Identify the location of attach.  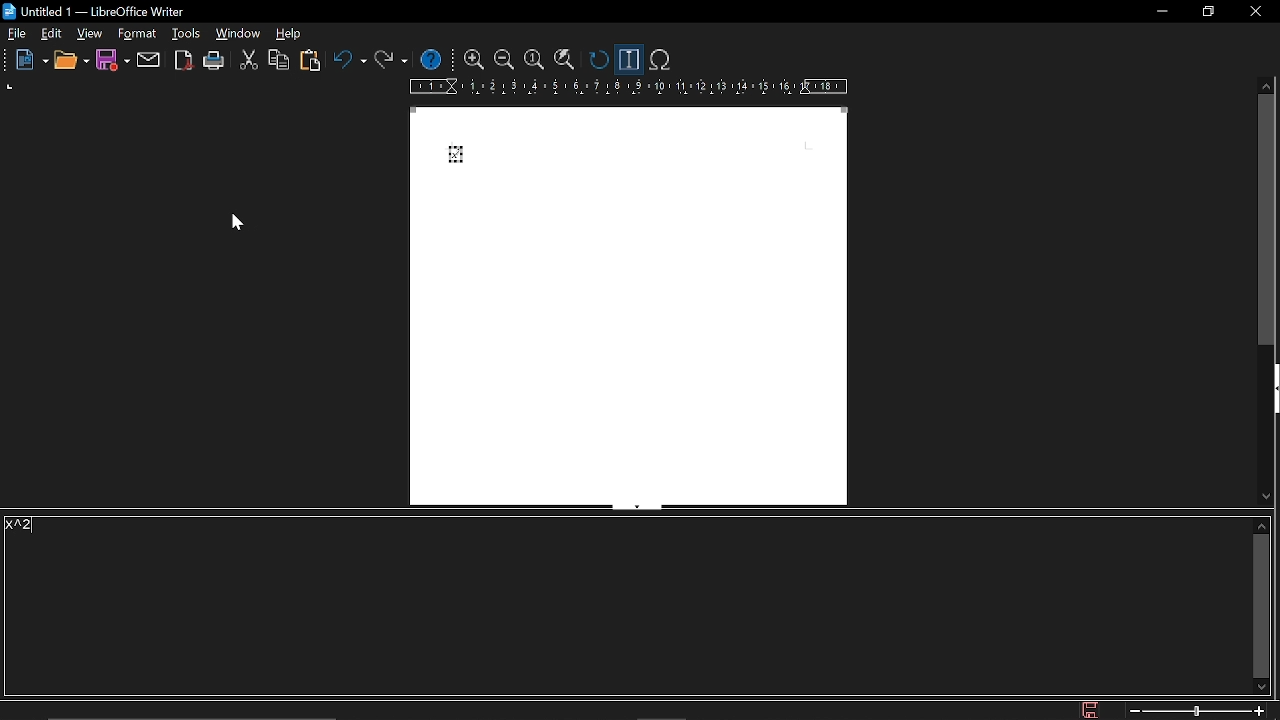
(150, 61).